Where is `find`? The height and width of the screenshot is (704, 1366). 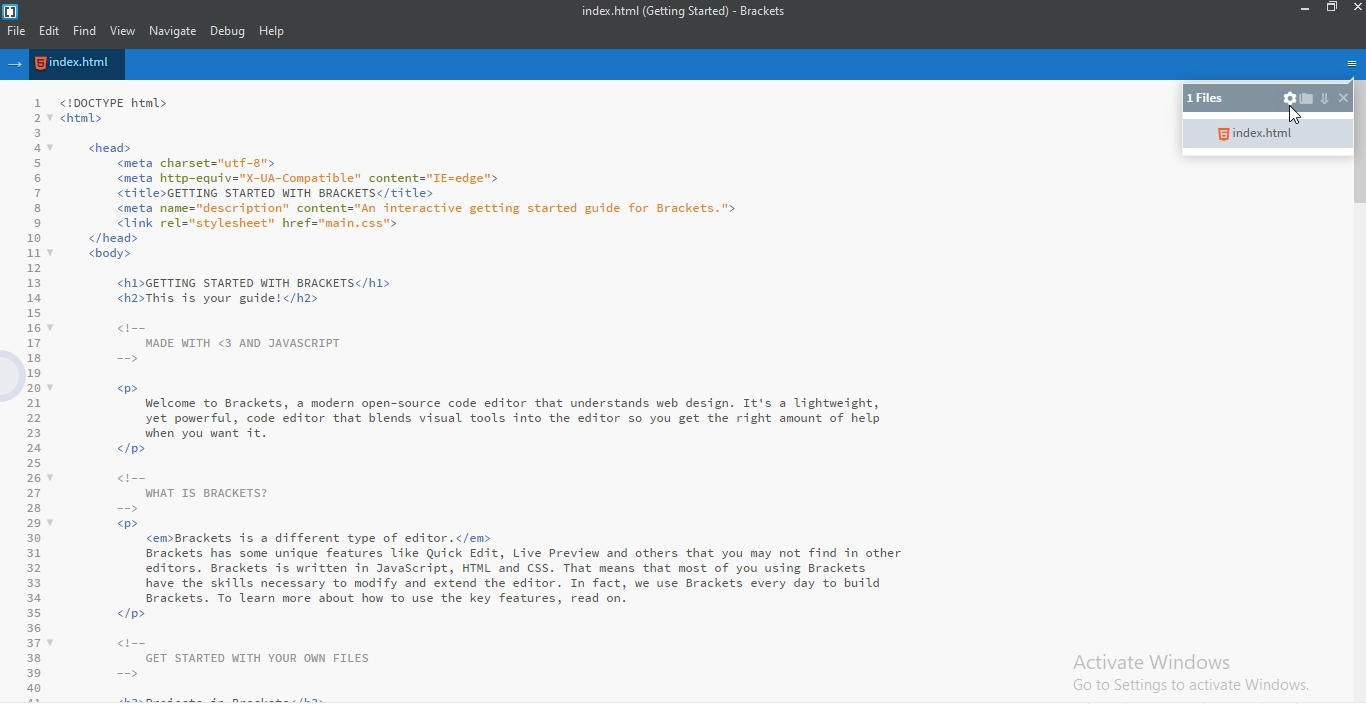
find is located at coordinates (83, 31).